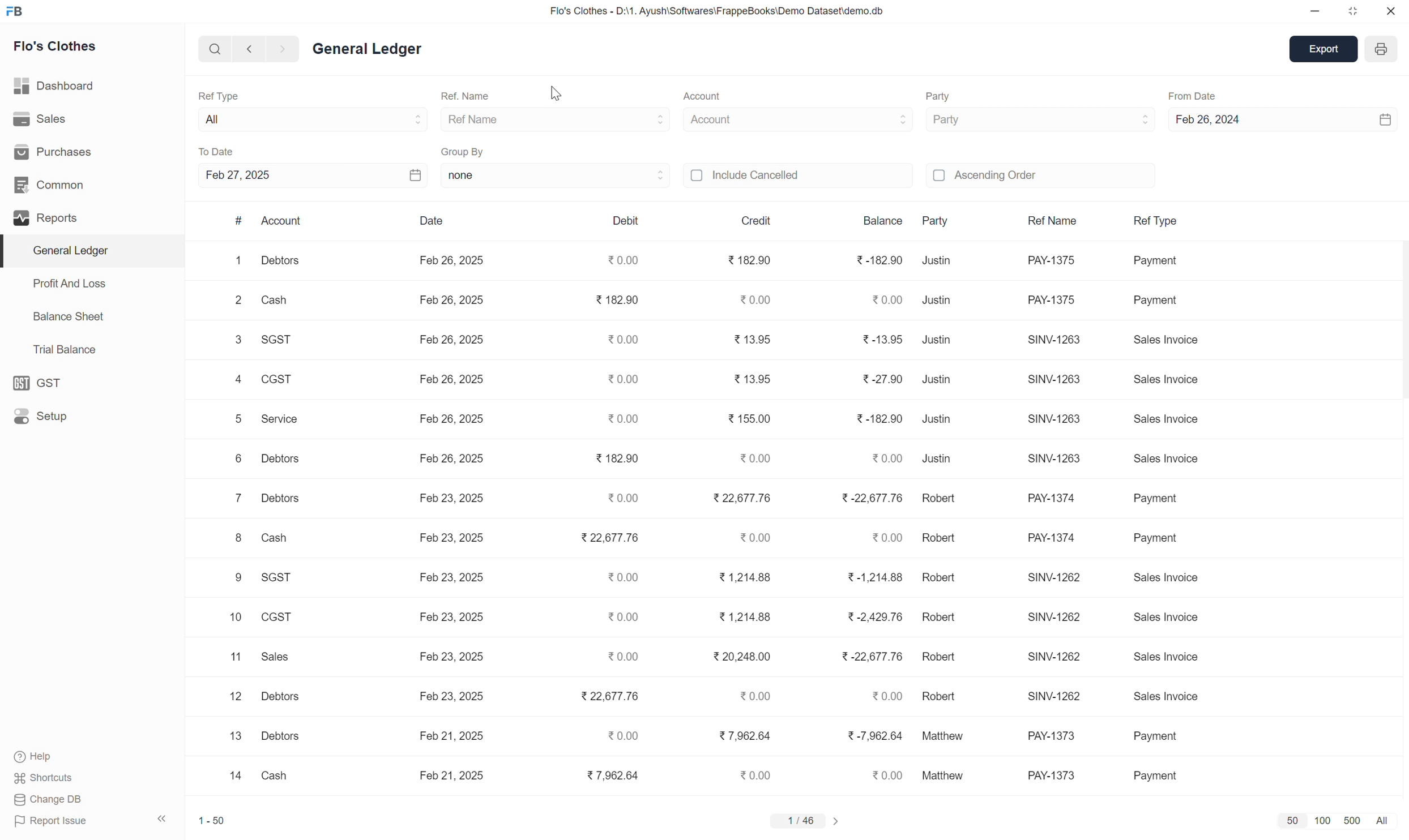  Describe the element at coordinates (1052, 536) in the screenshot. I see `pay-1374` at that location.